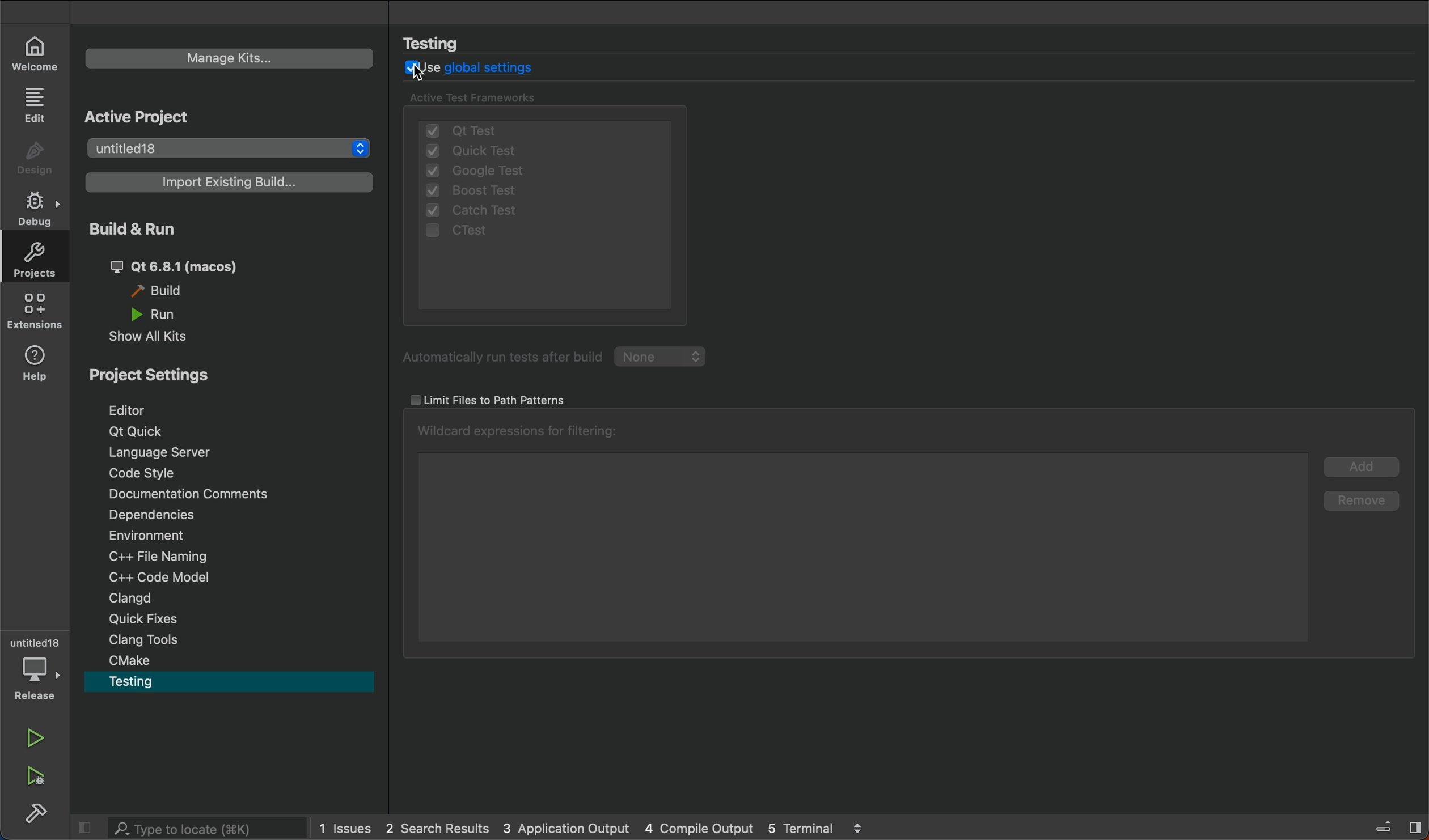  Describe the element at coordinates (166, 376) in the screenshot. I see `project settings` at that location.